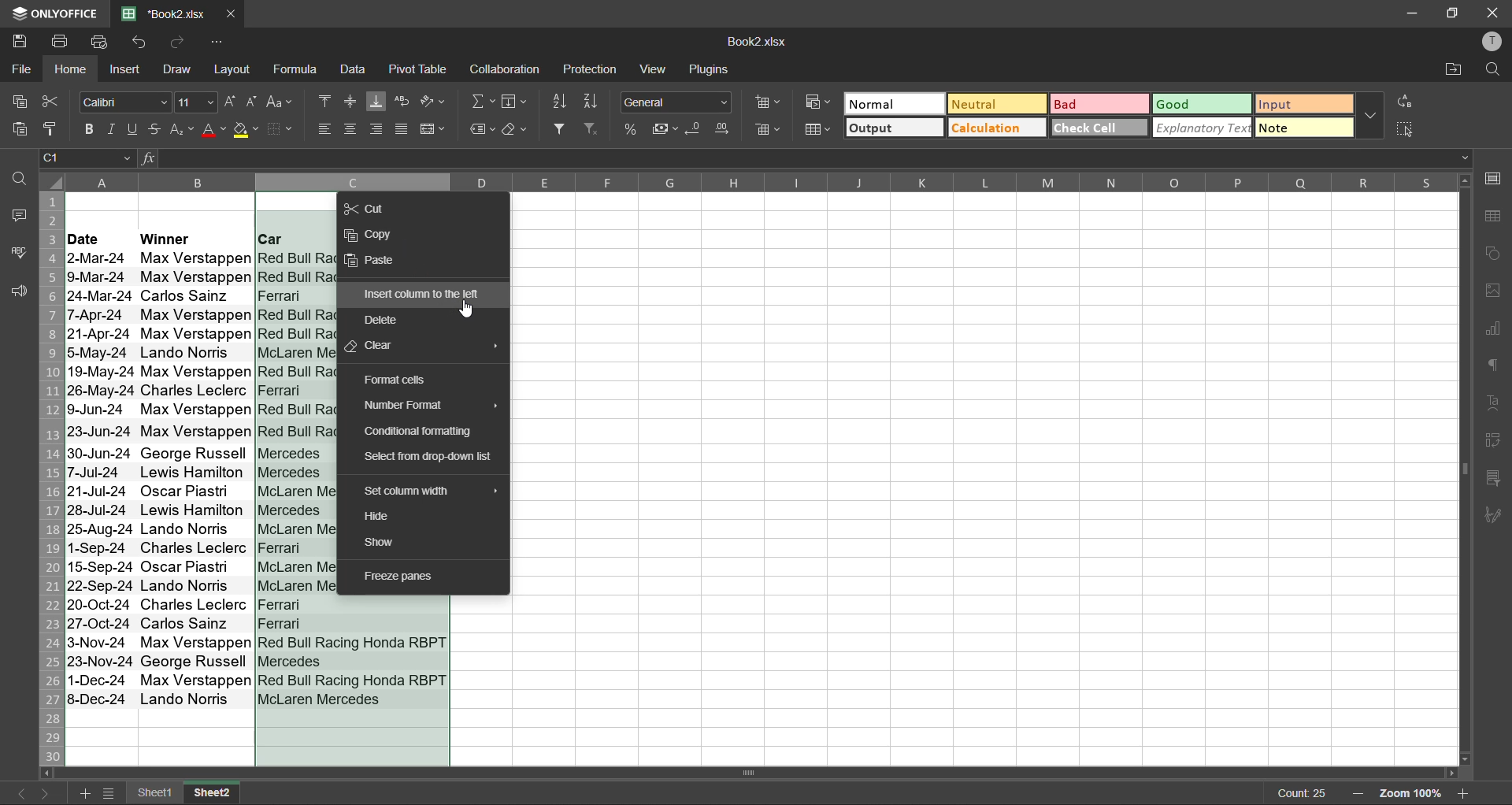 This screenshot has height=805, width=1512. I want to click on zoom 100%, so click(1410, 793).